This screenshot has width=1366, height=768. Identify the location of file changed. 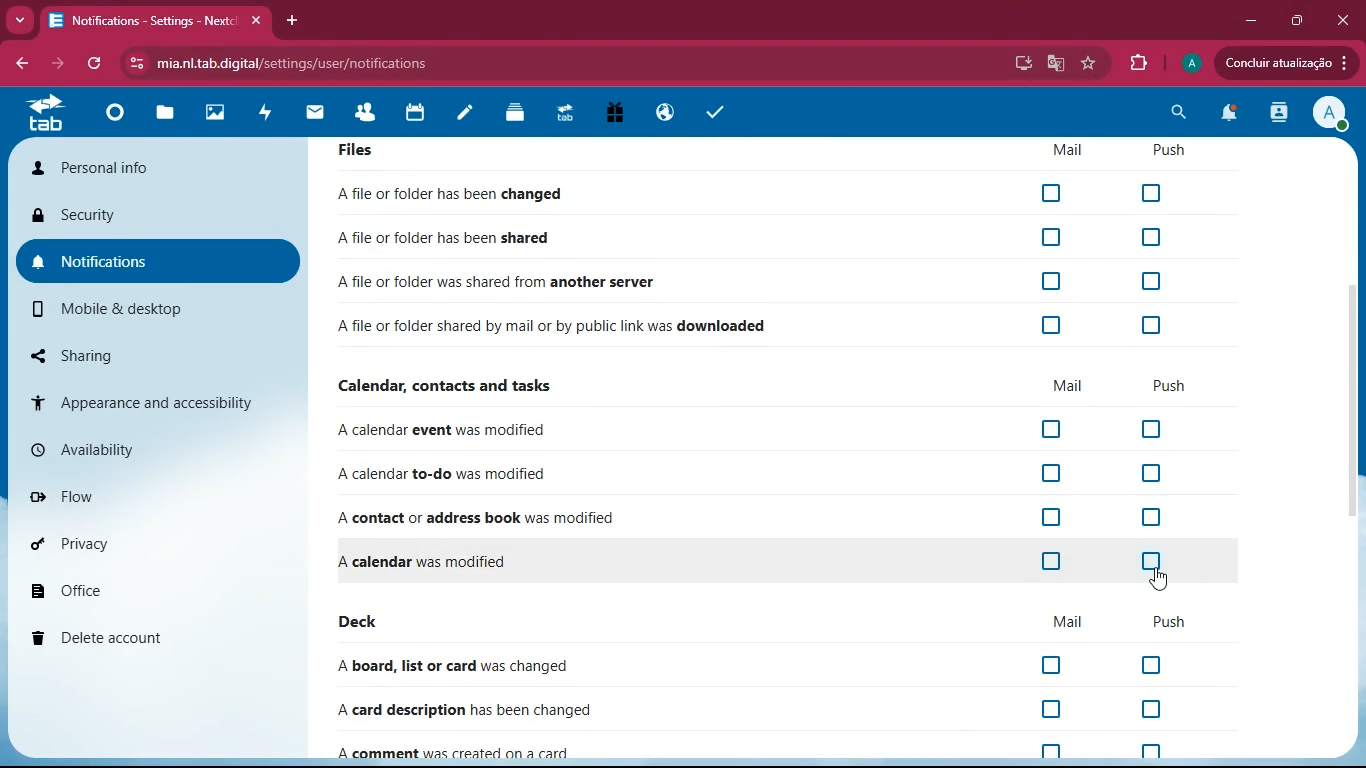
(457, 193).